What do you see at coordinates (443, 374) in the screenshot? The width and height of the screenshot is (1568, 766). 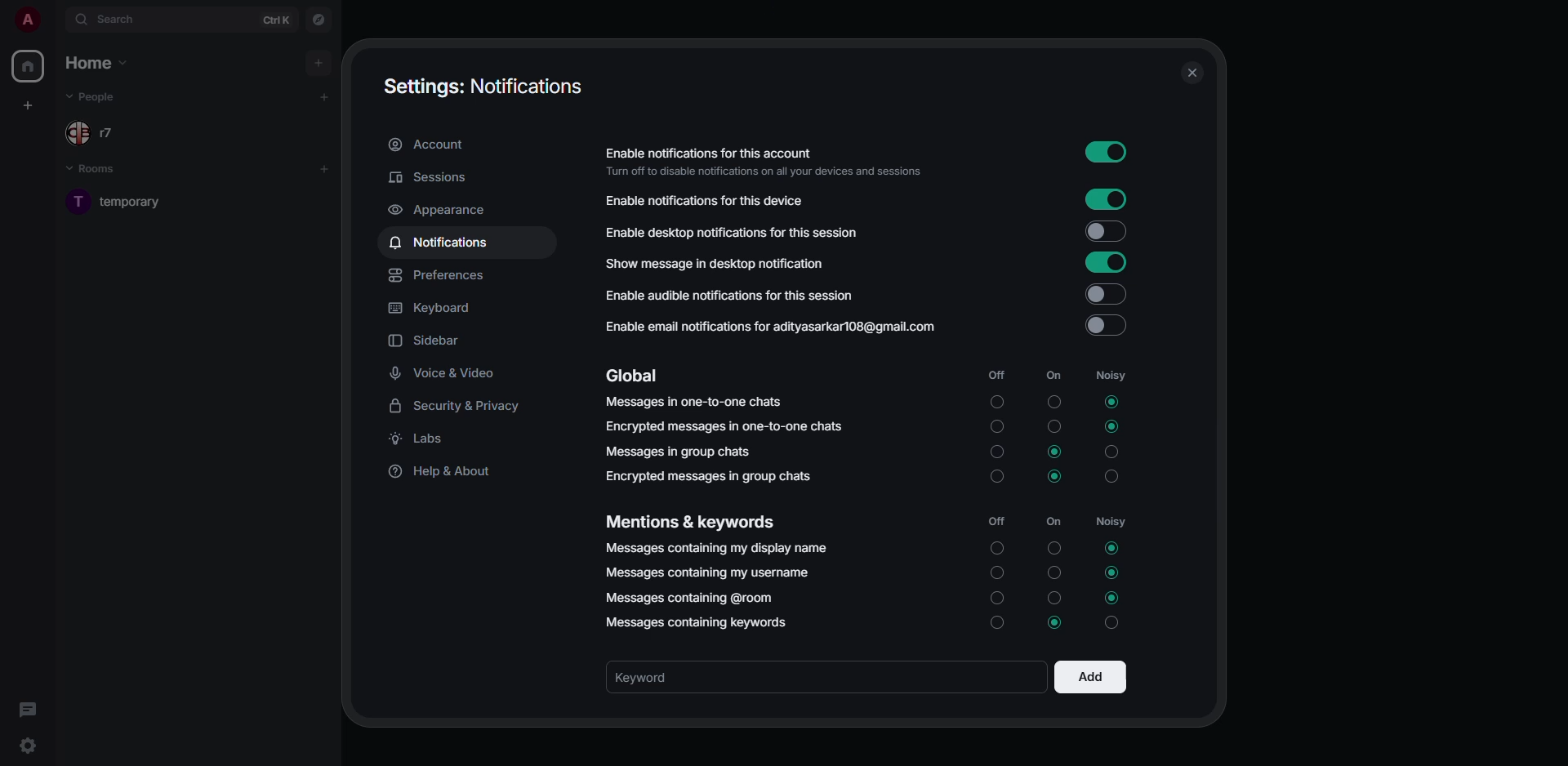 I see `voice & video` at bounding box center [443, 374].